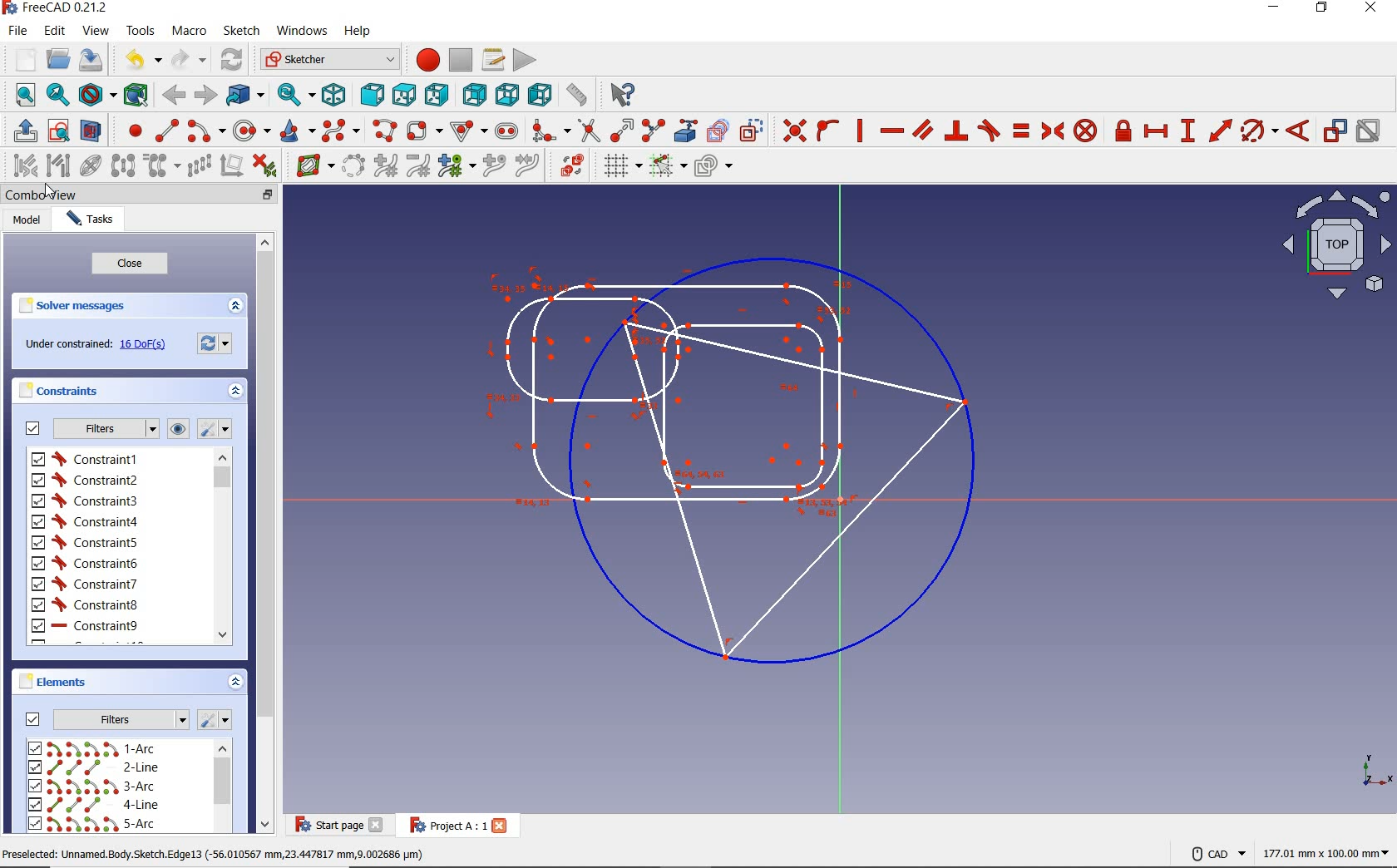 The height and width of the screenshot is (868, 1397). I want to click on front, so click(369, 93).